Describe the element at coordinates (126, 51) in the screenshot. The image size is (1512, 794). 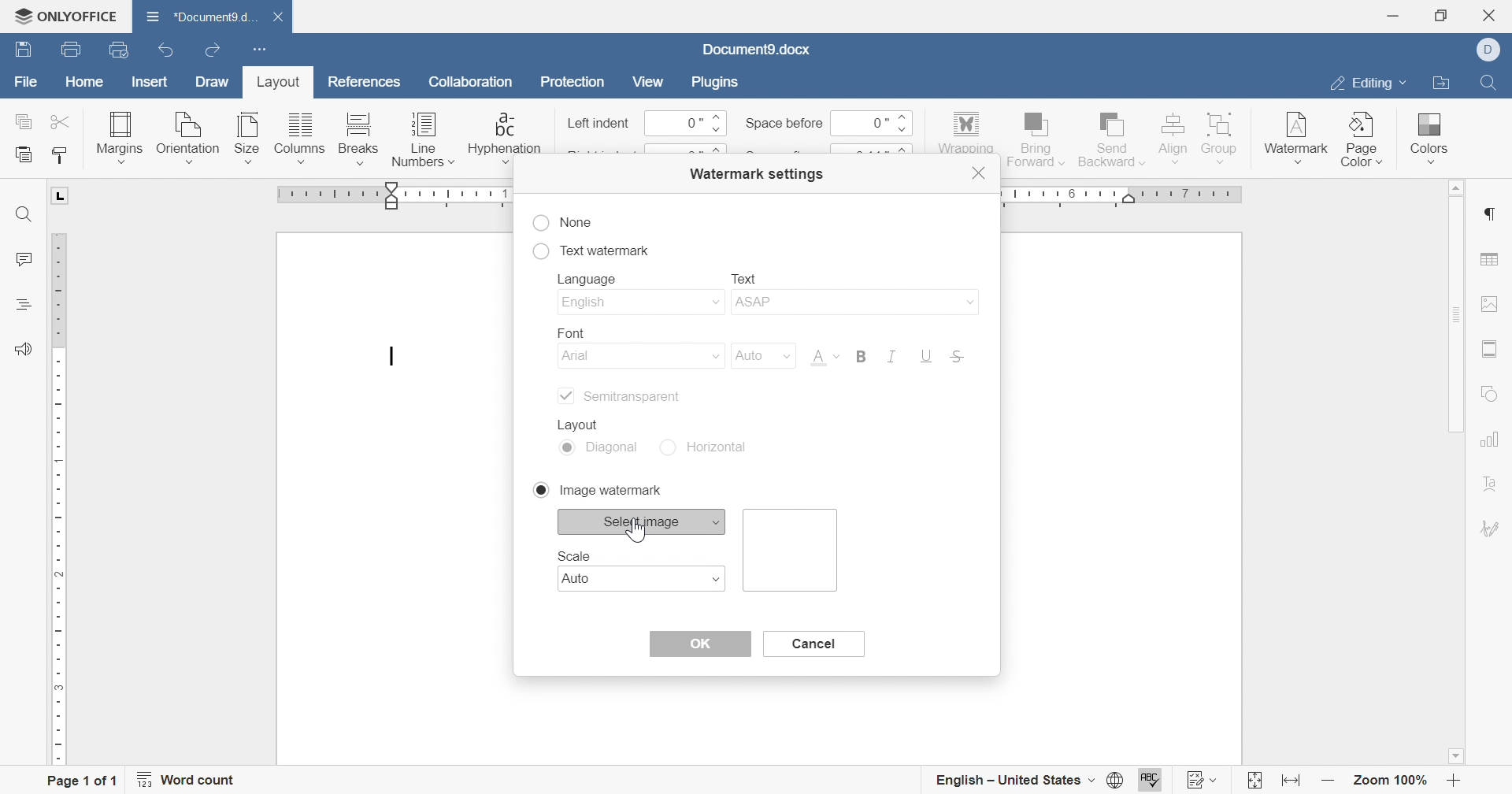
I see `quick print` at that location.